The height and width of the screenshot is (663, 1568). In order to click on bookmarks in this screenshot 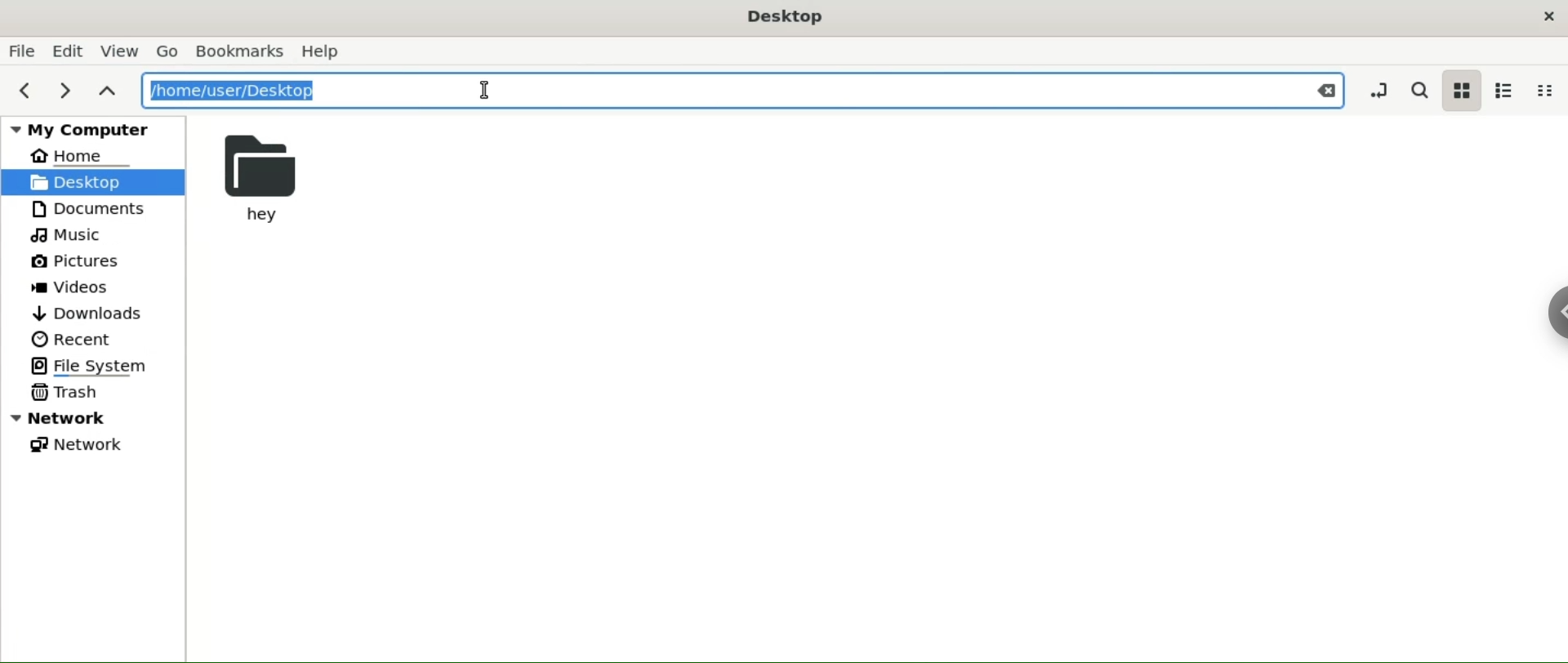, I will do `click(238, 51)`.